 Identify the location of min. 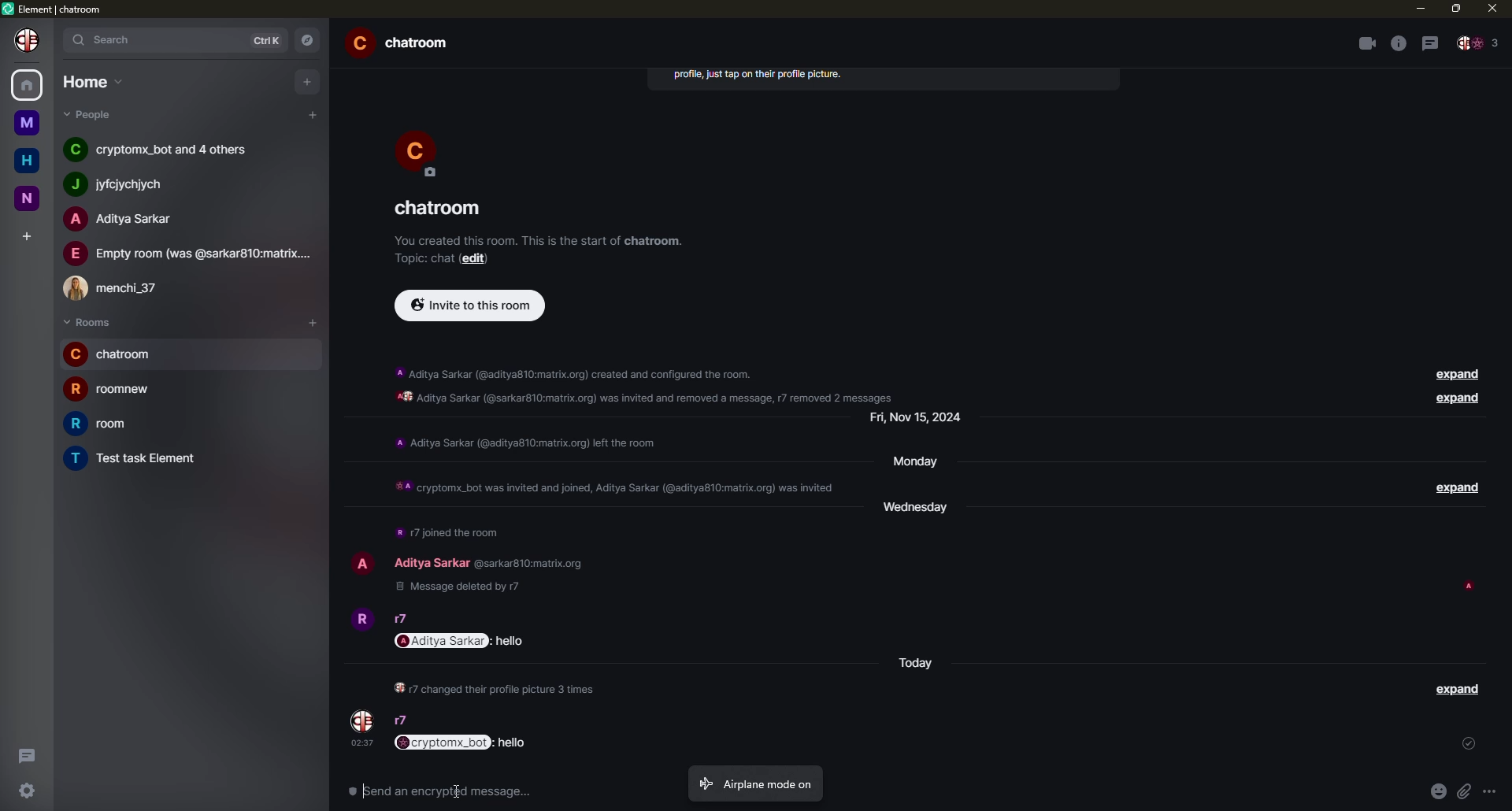
(1418, 9).